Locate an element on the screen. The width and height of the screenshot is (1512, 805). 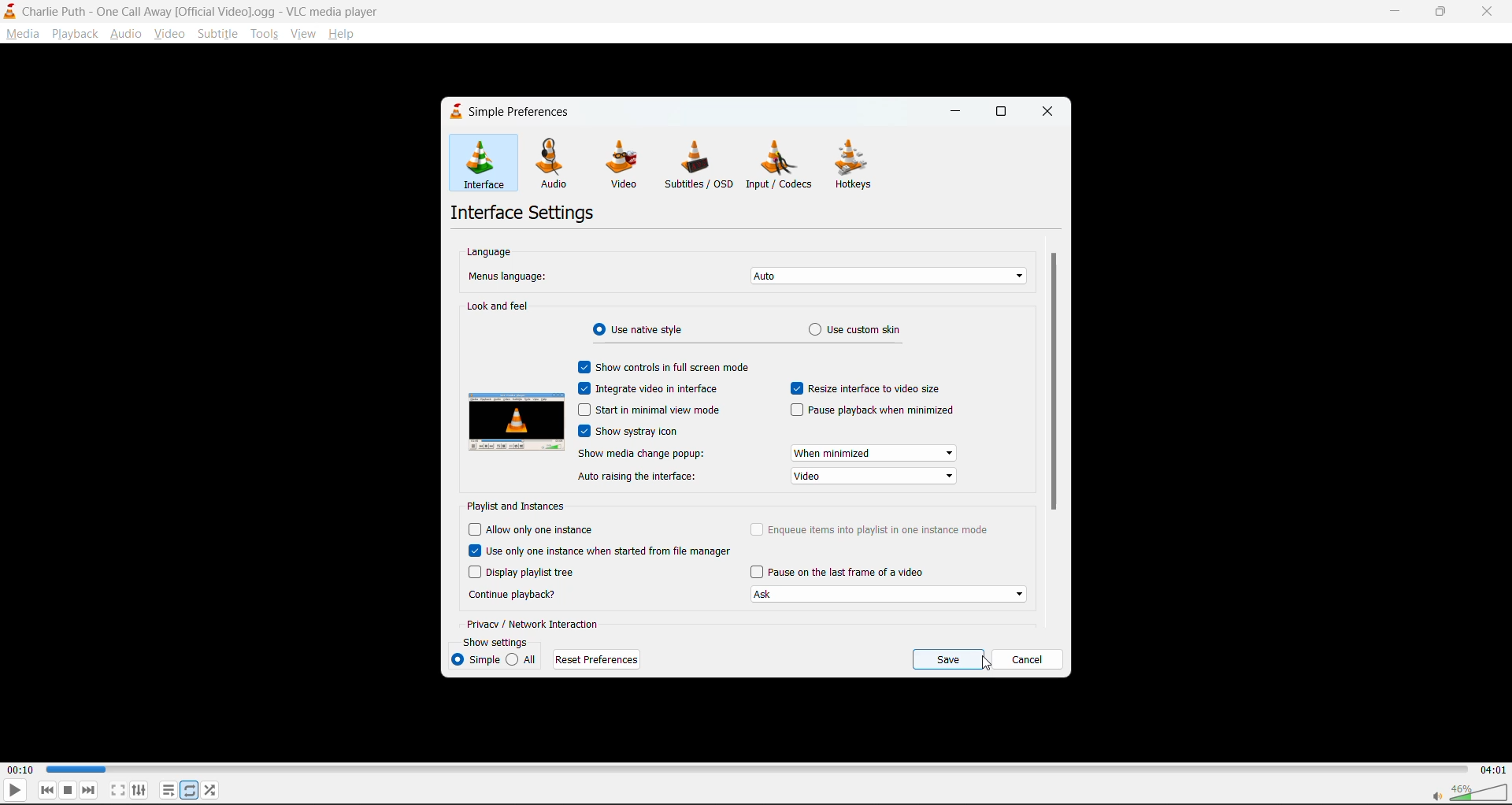
Checbox is located at coordinates (584, 432).